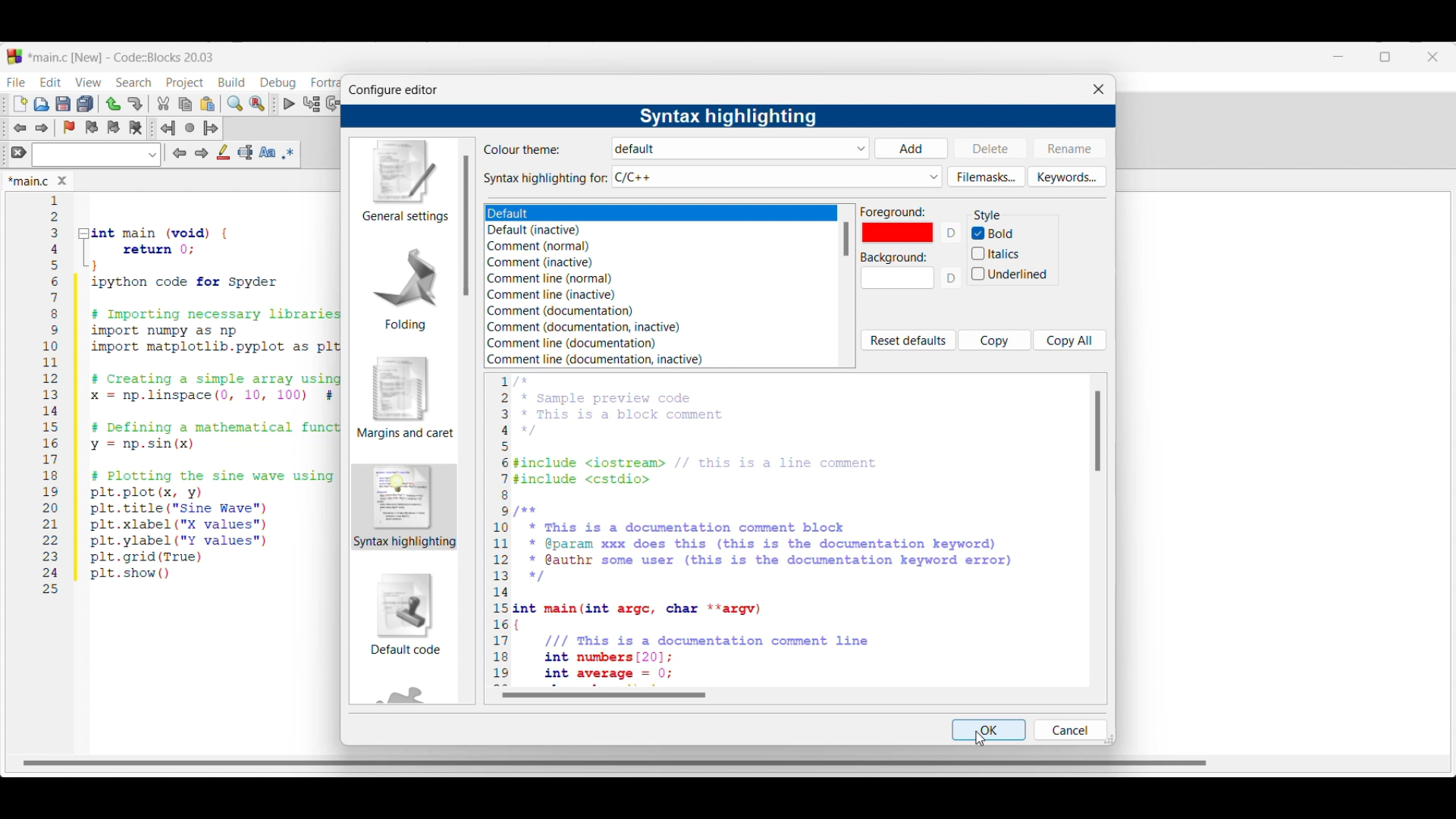 This screenshot has width=1456, height=819. Describe the element at coordinates (1385, 57) in the screenshot. I see `Change tab dimension` at that location.